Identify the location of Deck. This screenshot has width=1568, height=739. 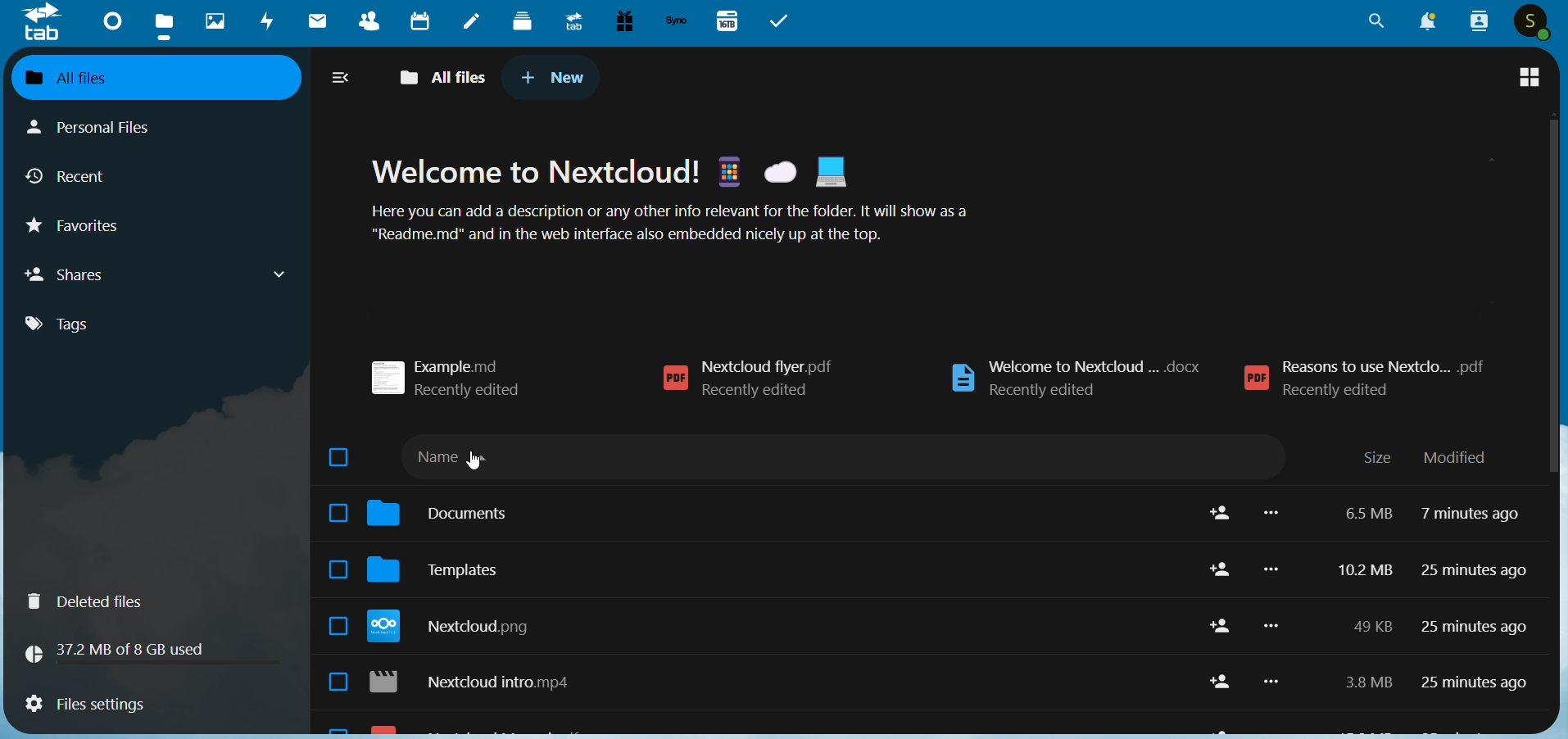
(525, 22).